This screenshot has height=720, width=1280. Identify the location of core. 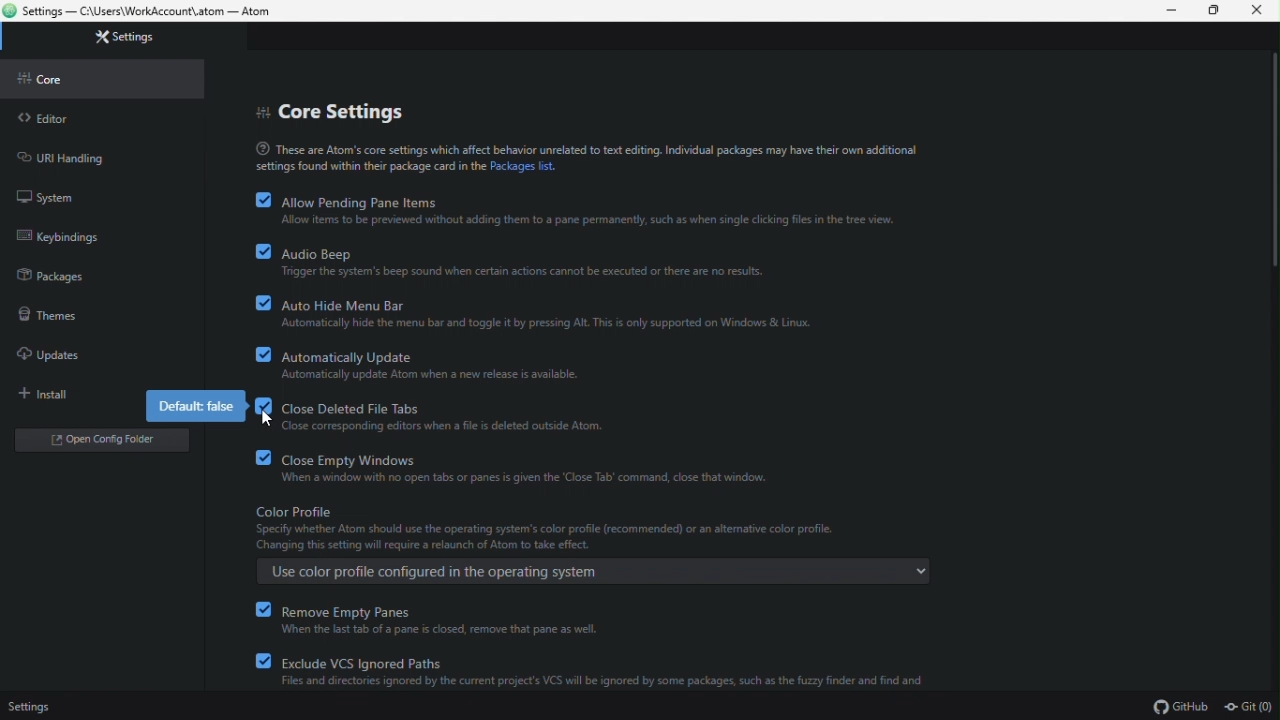
(48, 77).